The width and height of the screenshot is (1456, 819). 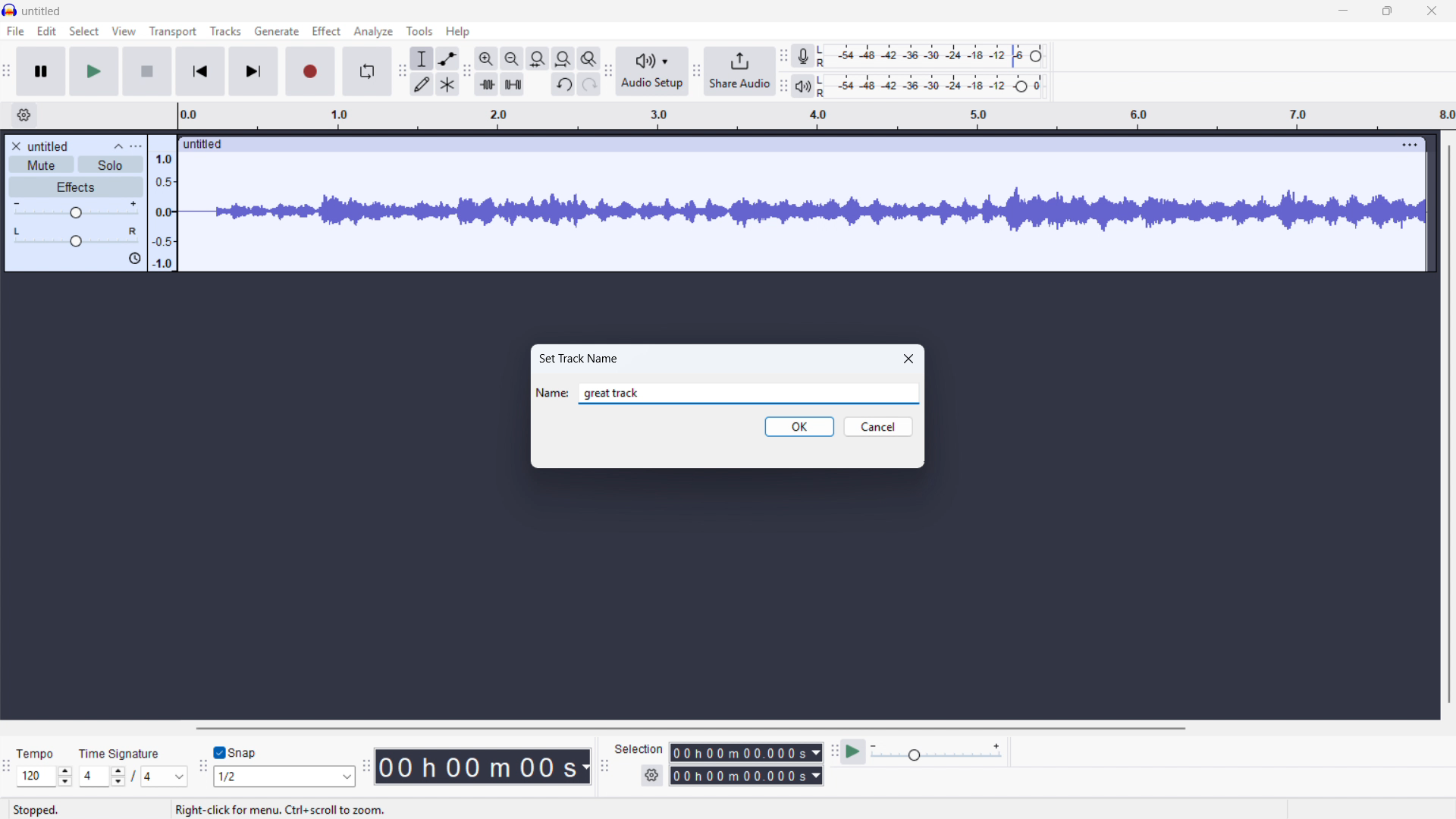 I want to click on Edit , so click(x=46, y=32).